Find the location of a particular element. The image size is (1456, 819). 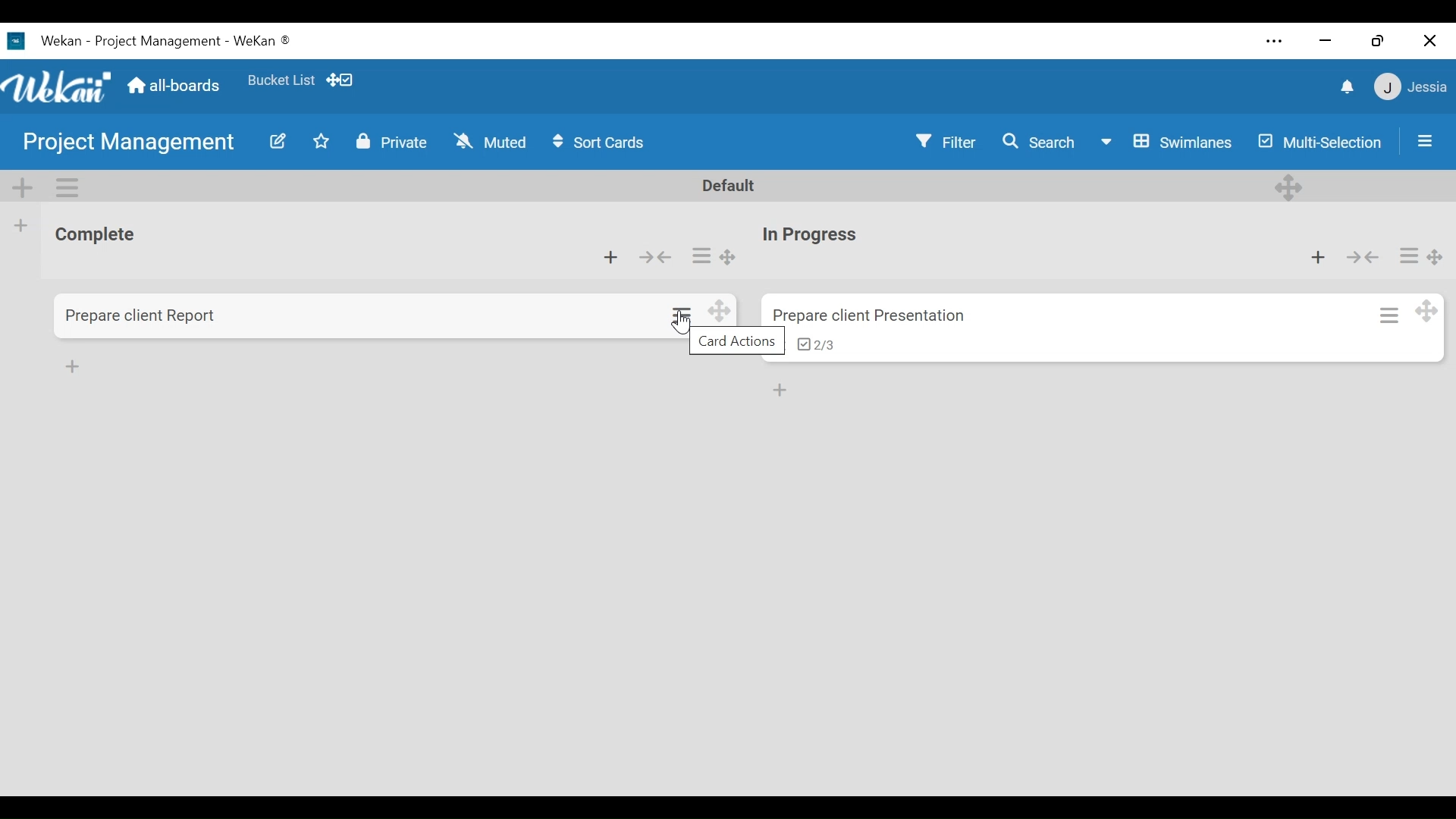

List Title is located at coordinates (102, 236).